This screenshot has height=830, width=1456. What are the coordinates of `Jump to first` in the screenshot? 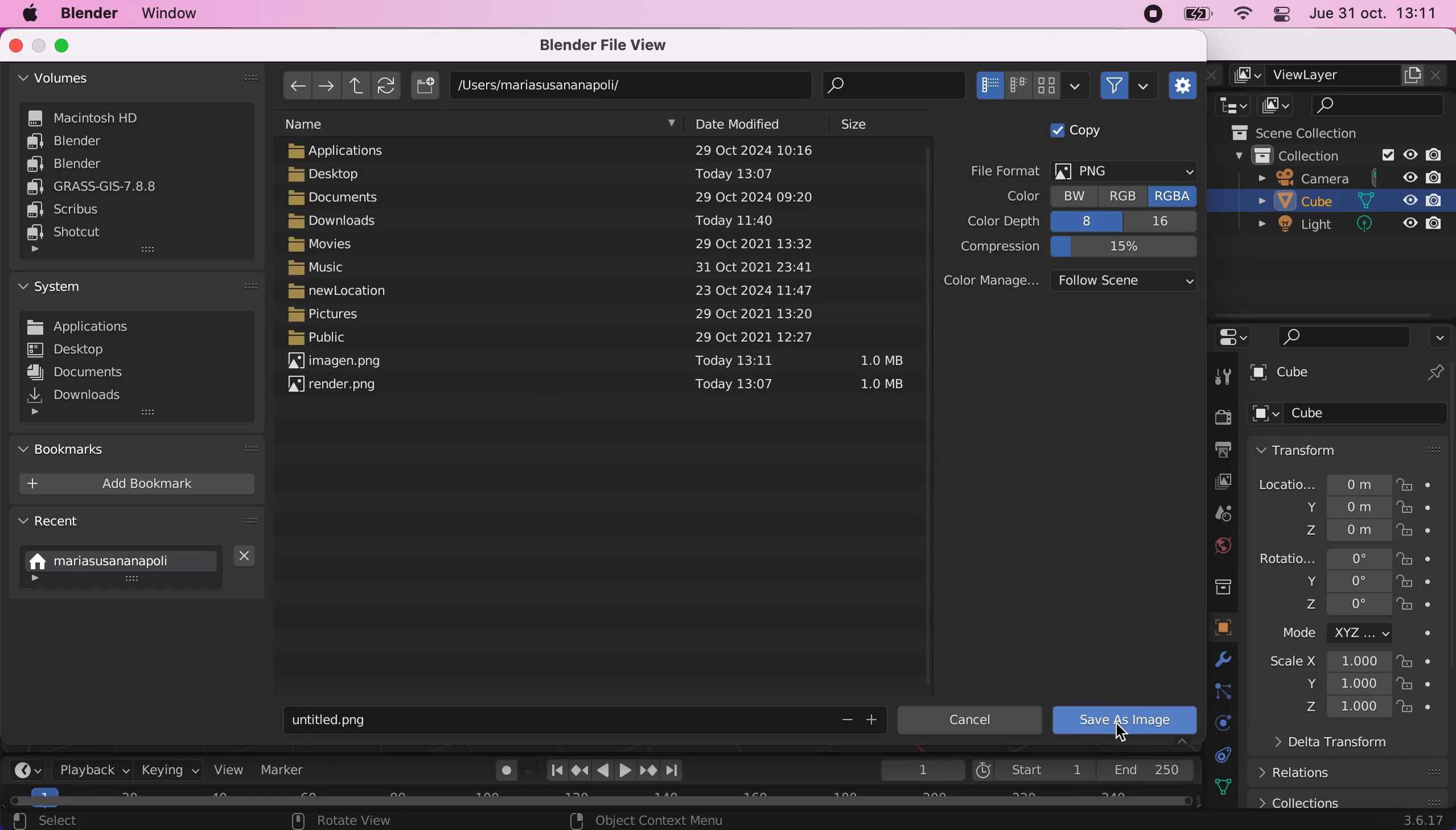 It's located at (552, 770).